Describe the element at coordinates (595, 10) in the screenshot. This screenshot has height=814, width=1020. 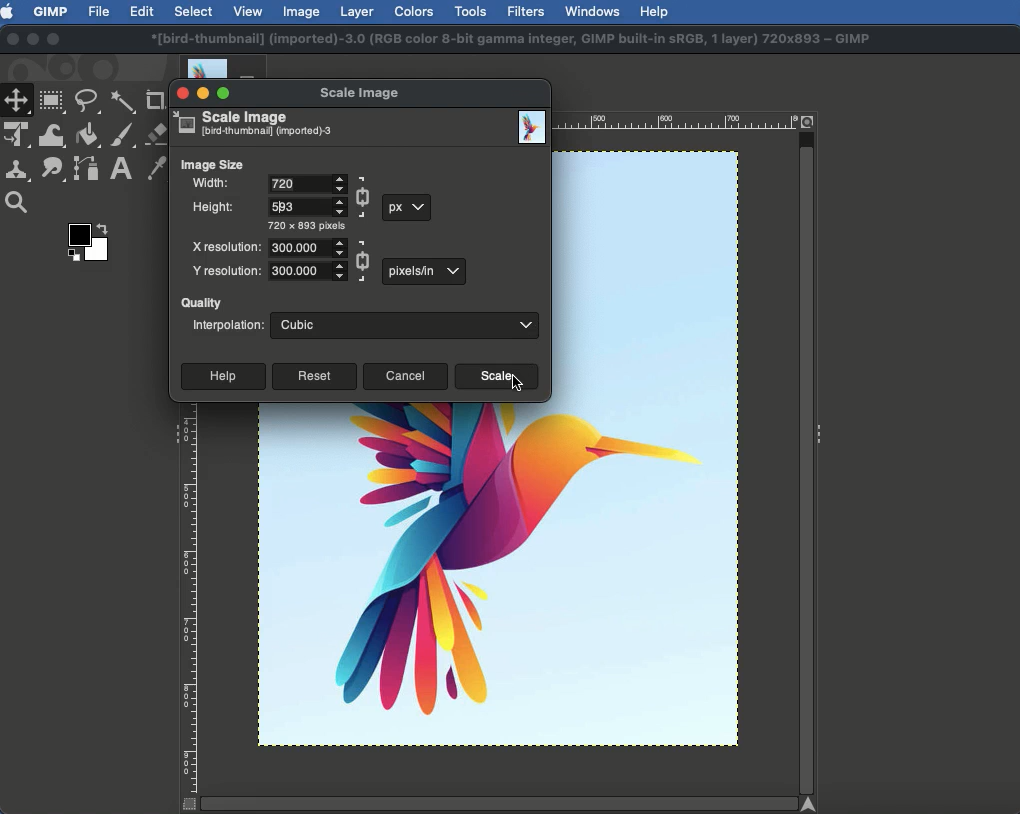
I see `Window` at that location.